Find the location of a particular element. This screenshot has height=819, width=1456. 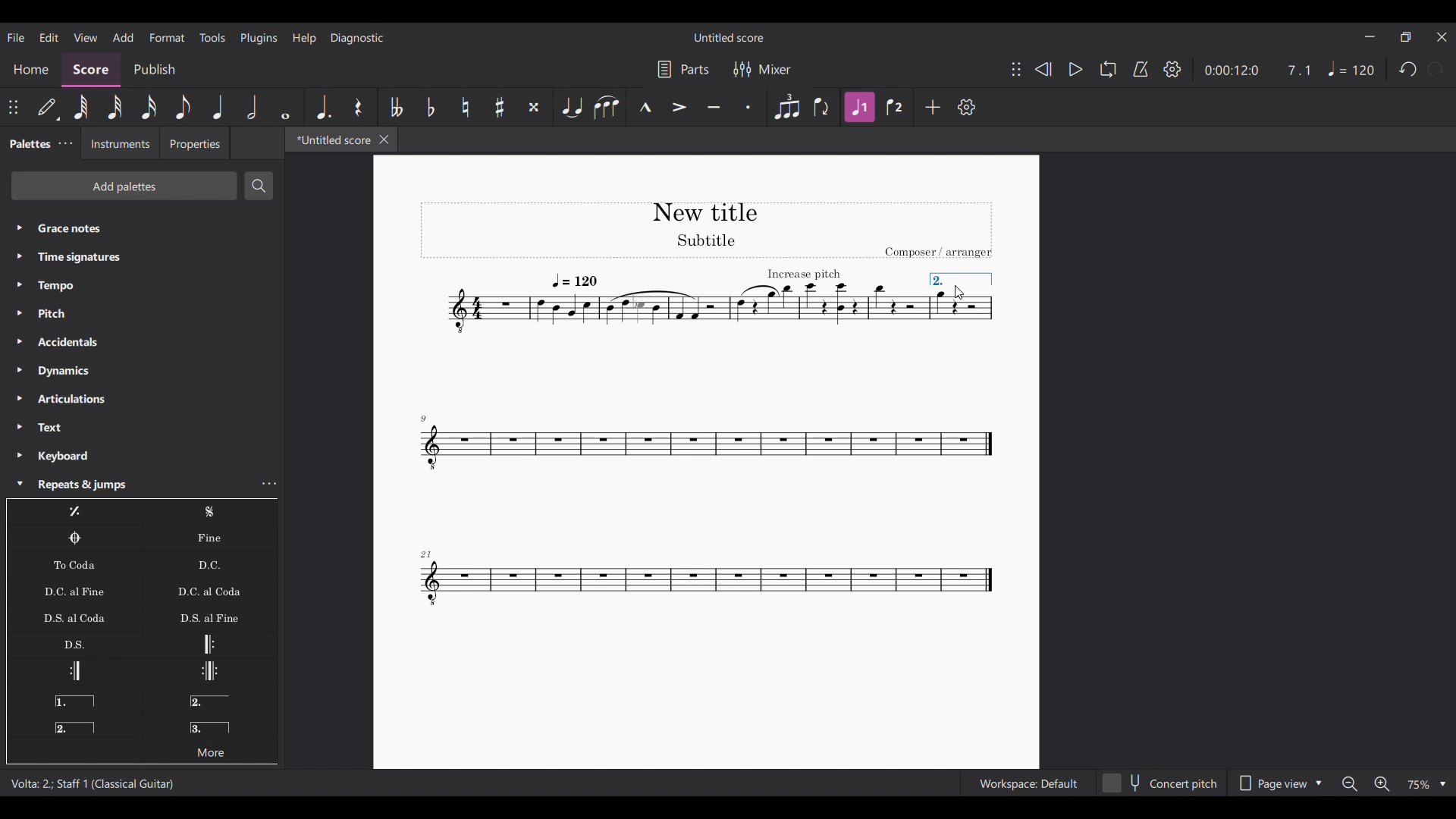

Zoom in is located at coordinates (1382, 783).